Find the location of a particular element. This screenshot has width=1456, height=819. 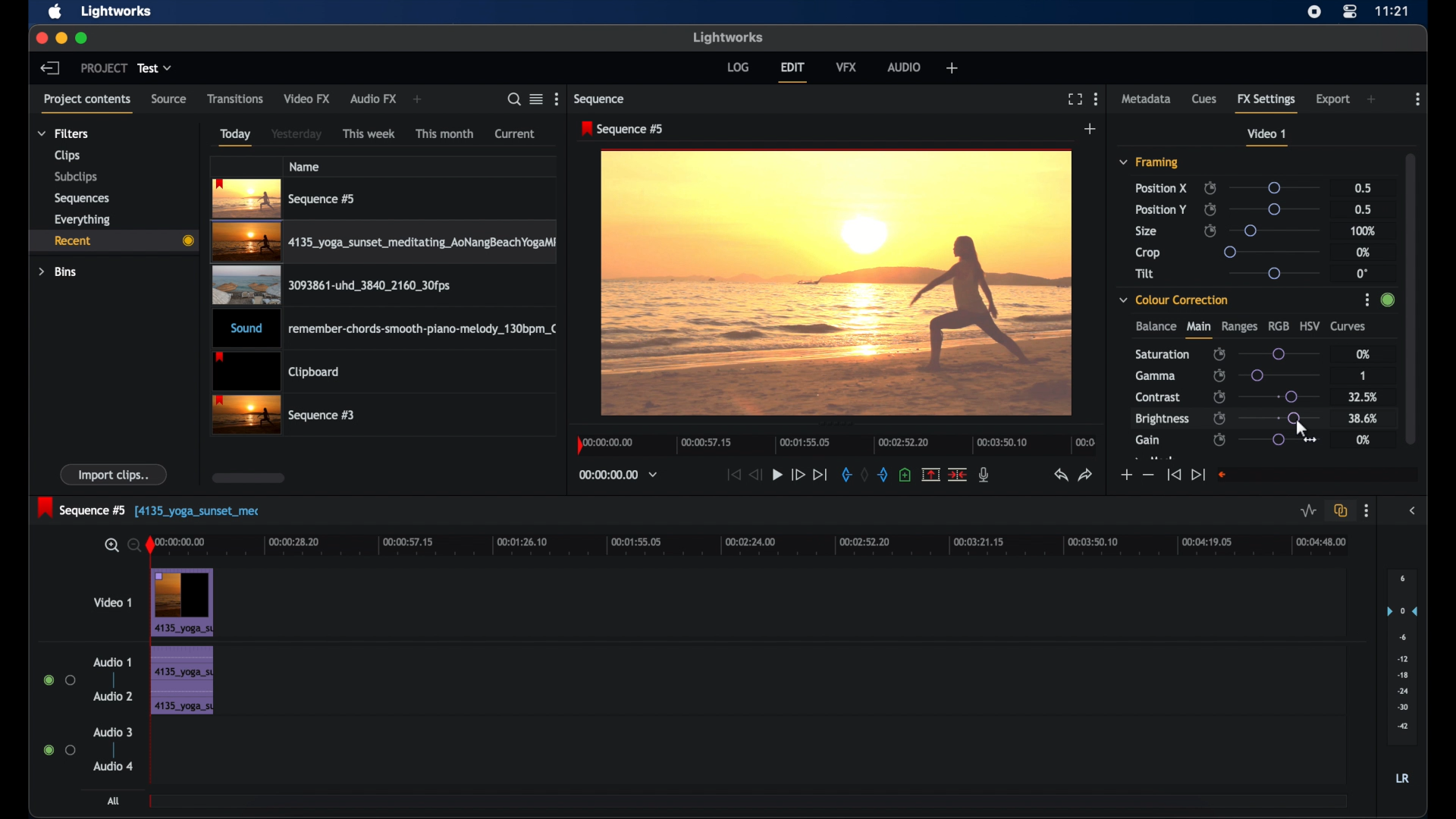

radio button is located at coordinates (59, 680).